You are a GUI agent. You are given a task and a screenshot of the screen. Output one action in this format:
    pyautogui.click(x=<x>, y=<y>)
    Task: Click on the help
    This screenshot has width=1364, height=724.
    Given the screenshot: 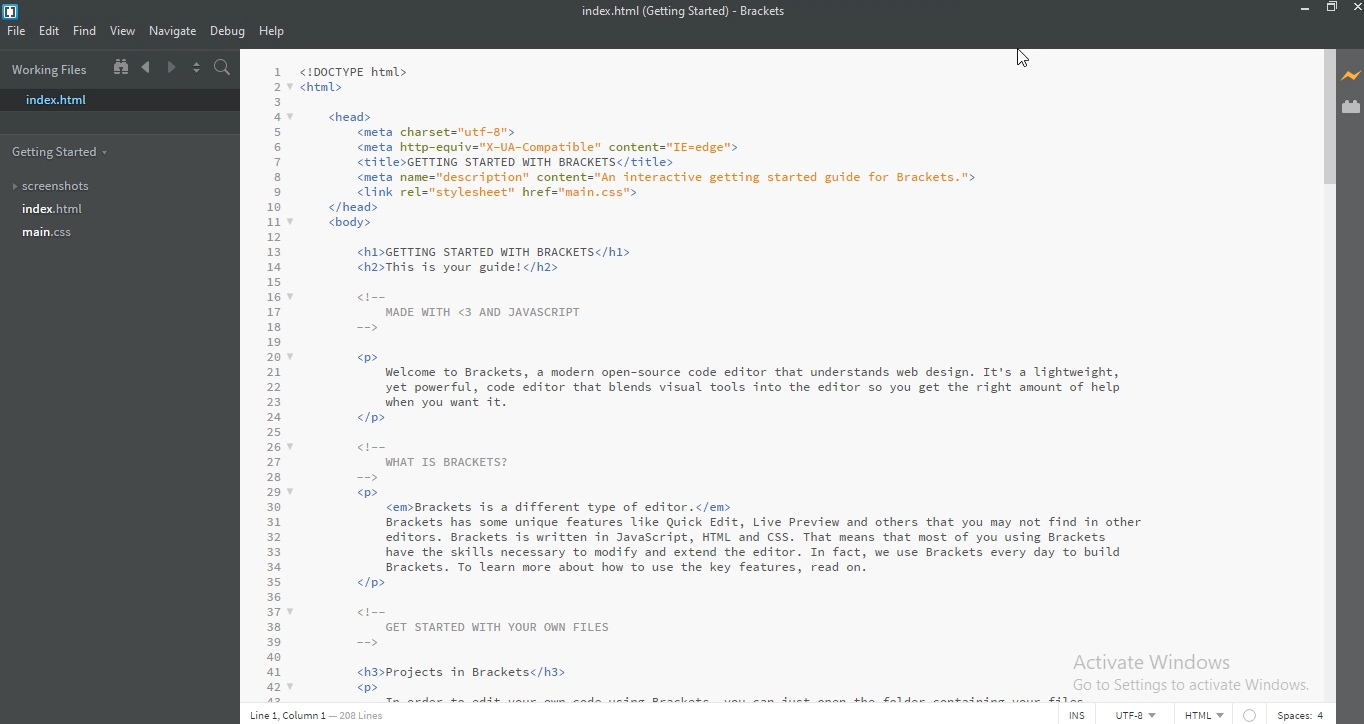 What is the action you would take?
    pyautogui.click(x=274, y=32)
    